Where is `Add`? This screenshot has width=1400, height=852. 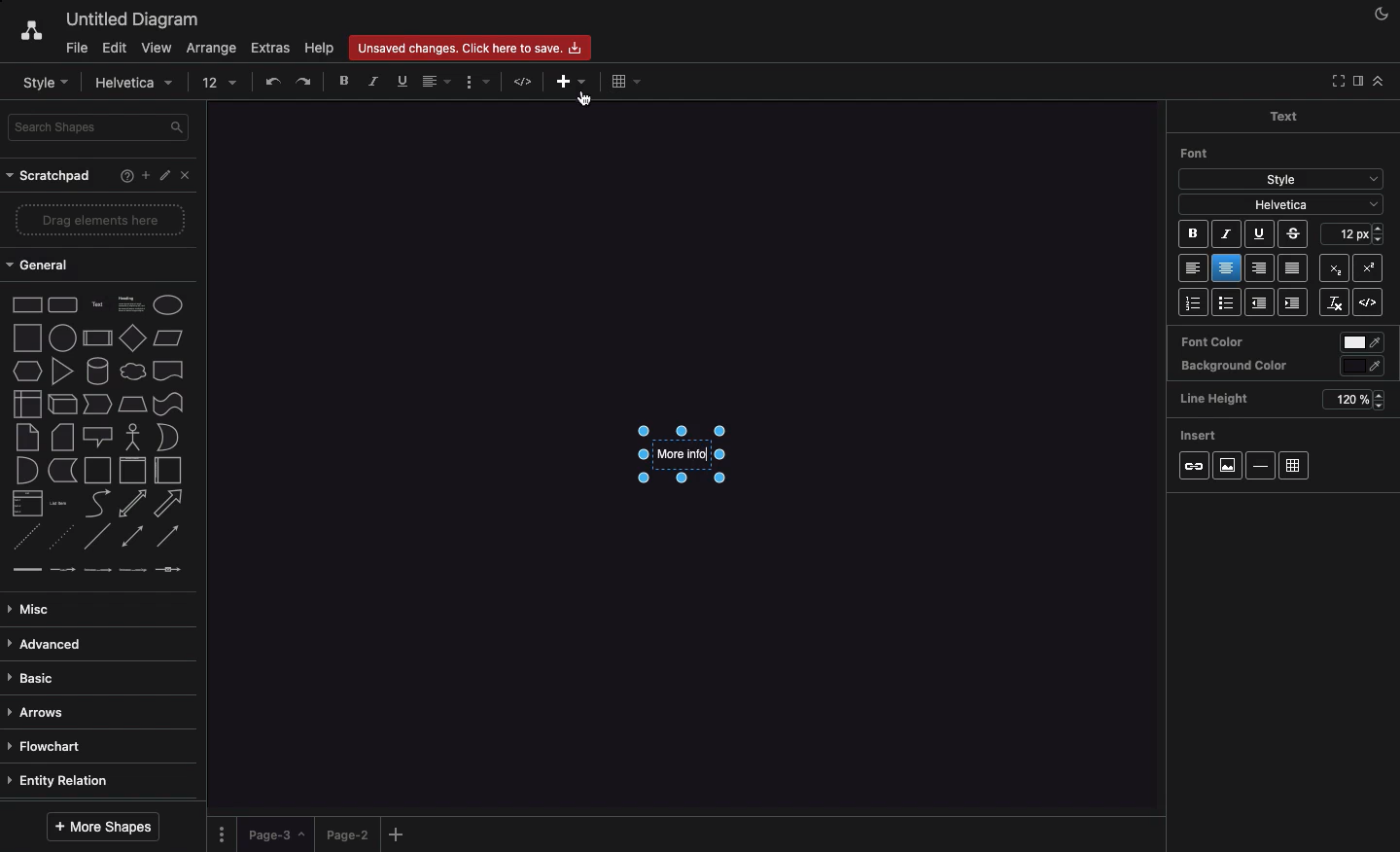 Add is located at coordinates (145, 174).